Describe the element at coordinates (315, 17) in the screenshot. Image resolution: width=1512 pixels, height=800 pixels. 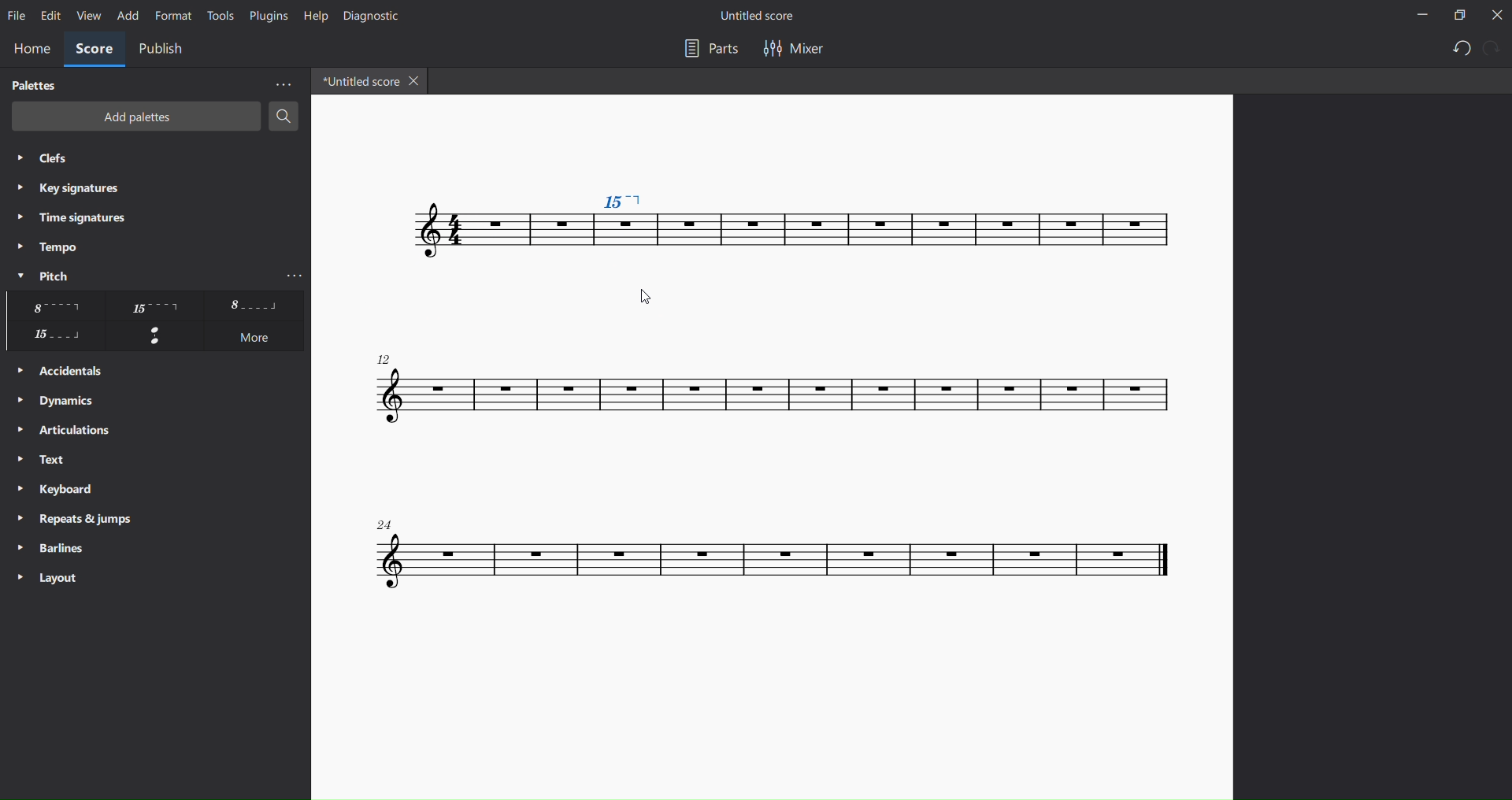
I see `help` at that location.